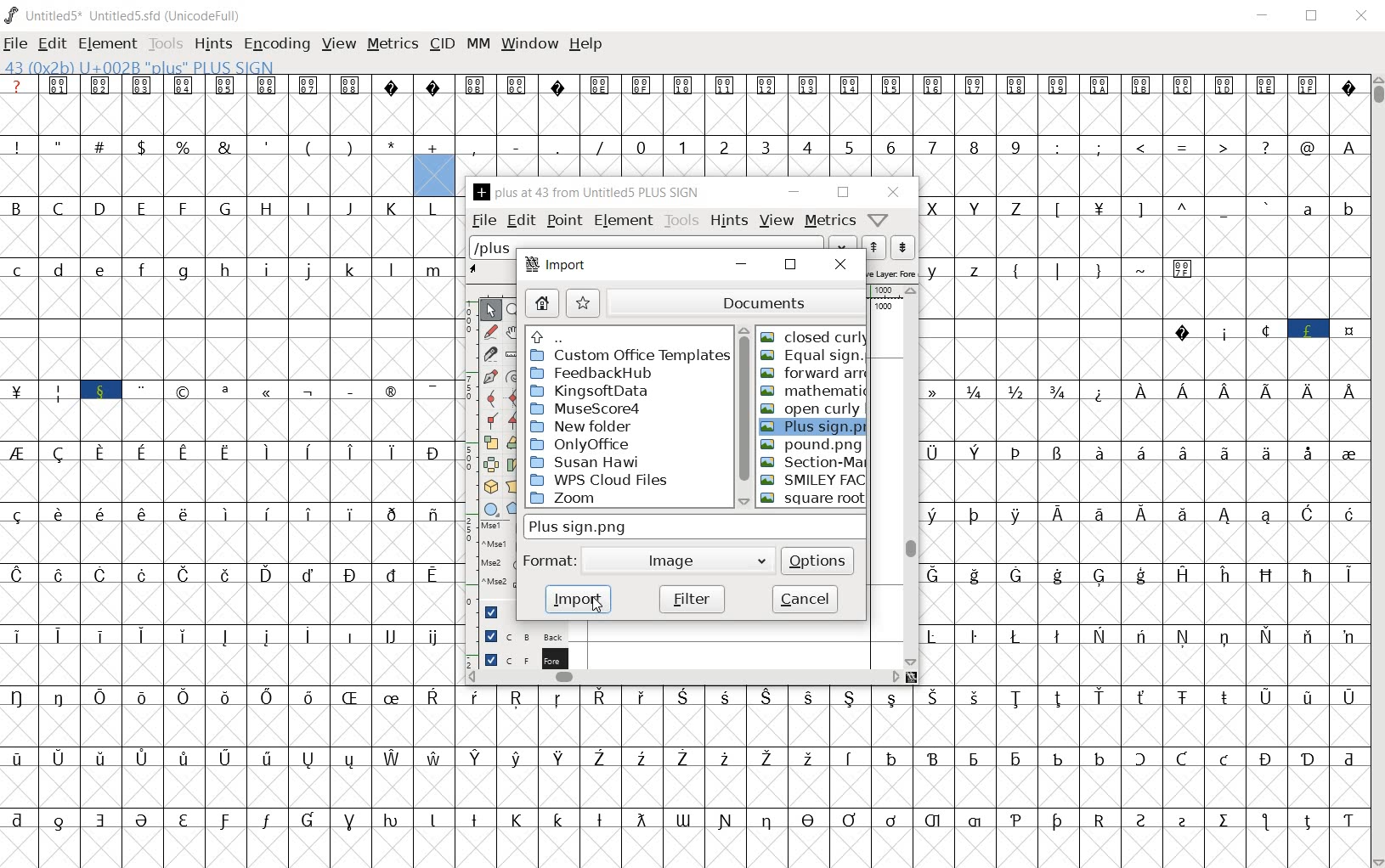  Describe the element at coordinates (520, 222) in the screenshot. I see `edit` at that location.